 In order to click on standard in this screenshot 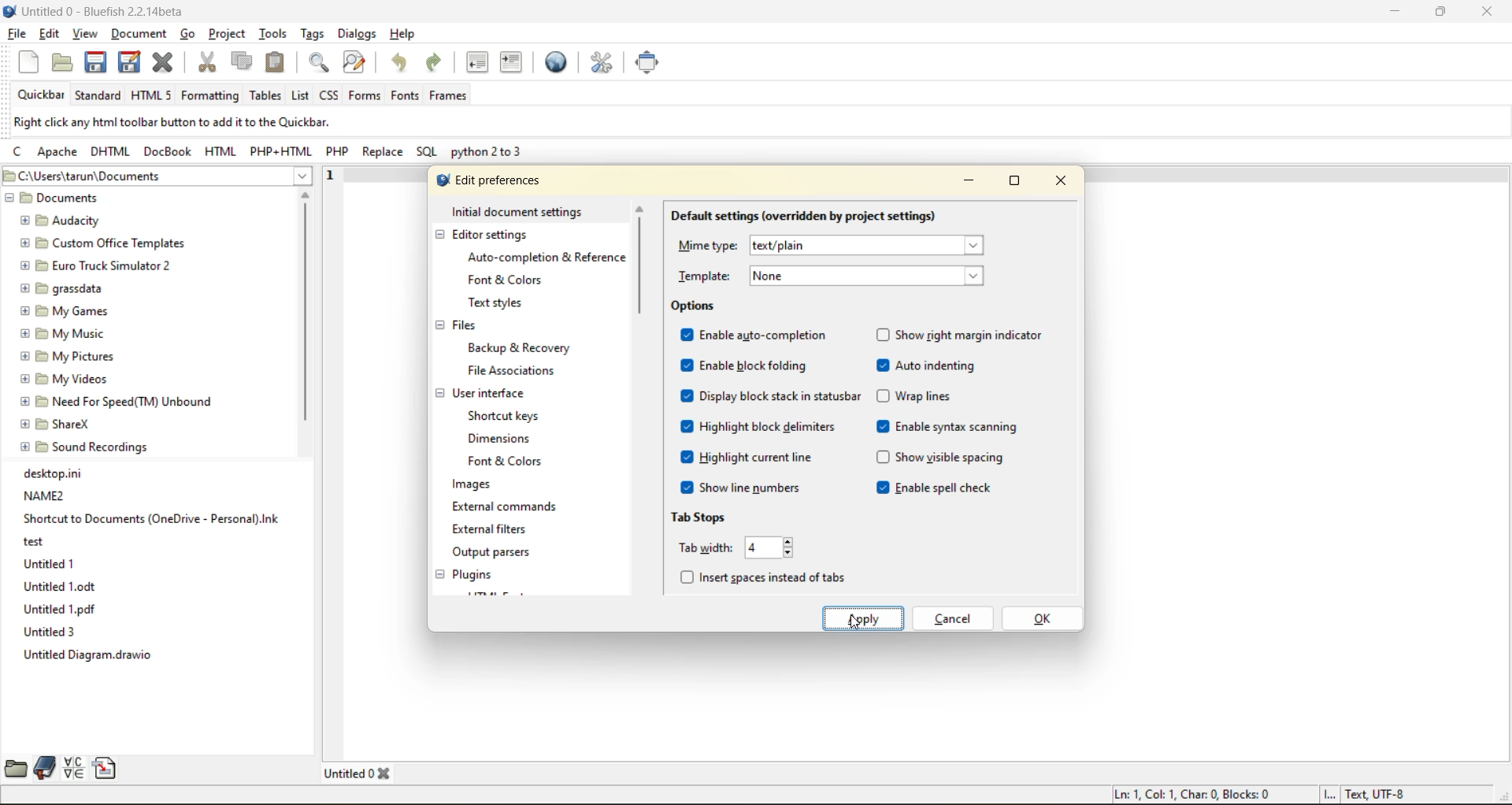, I will do `click(98, 98)`.